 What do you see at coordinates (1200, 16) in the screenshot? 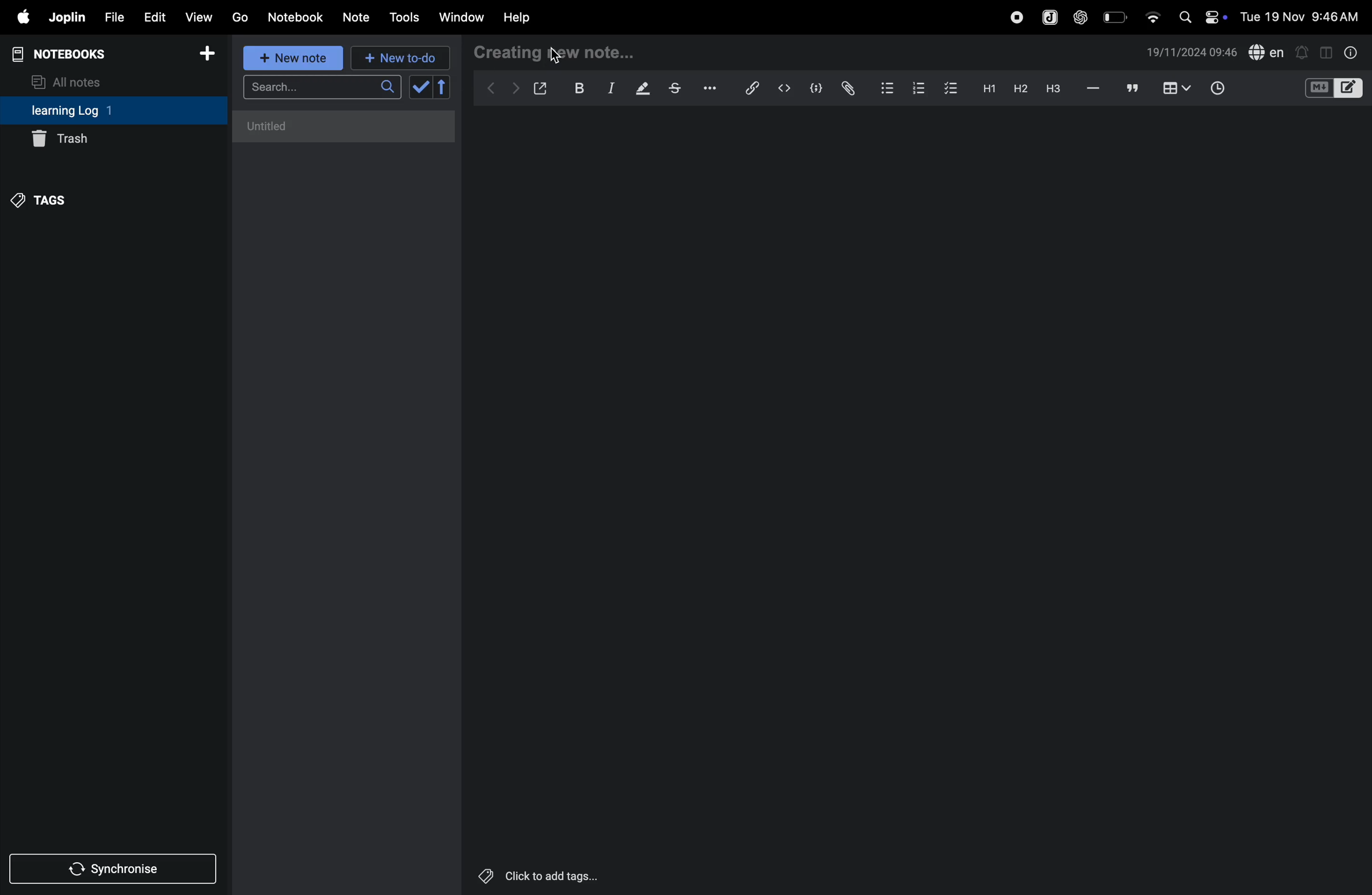
I see `apple widgets` at bounding box center [1200, 16].